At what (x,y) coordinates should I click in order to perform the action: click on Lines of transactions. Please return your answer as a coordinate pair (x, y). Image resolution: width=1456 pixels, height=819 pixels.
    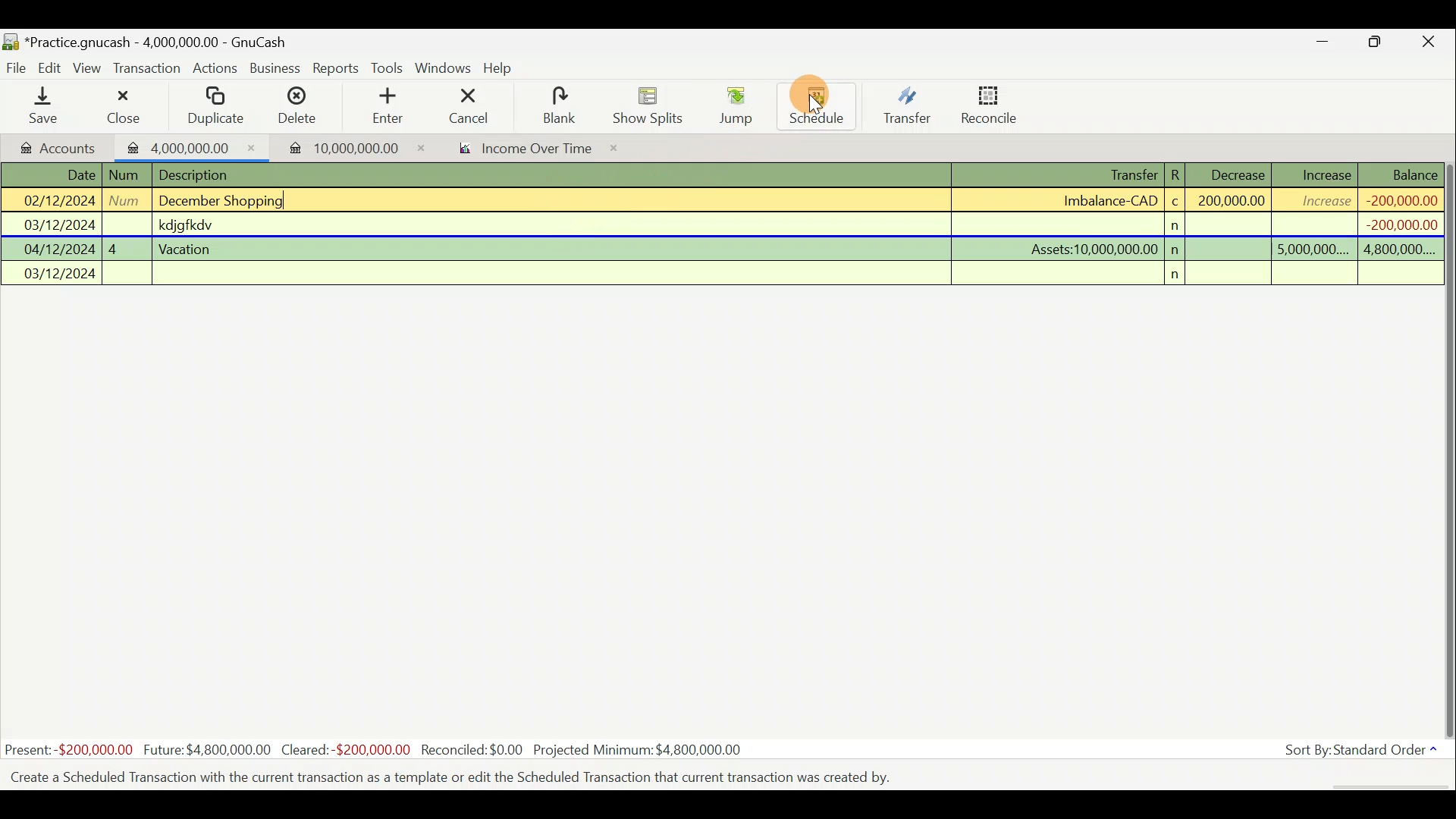
    Looking at the image, I should click on (725, 227).